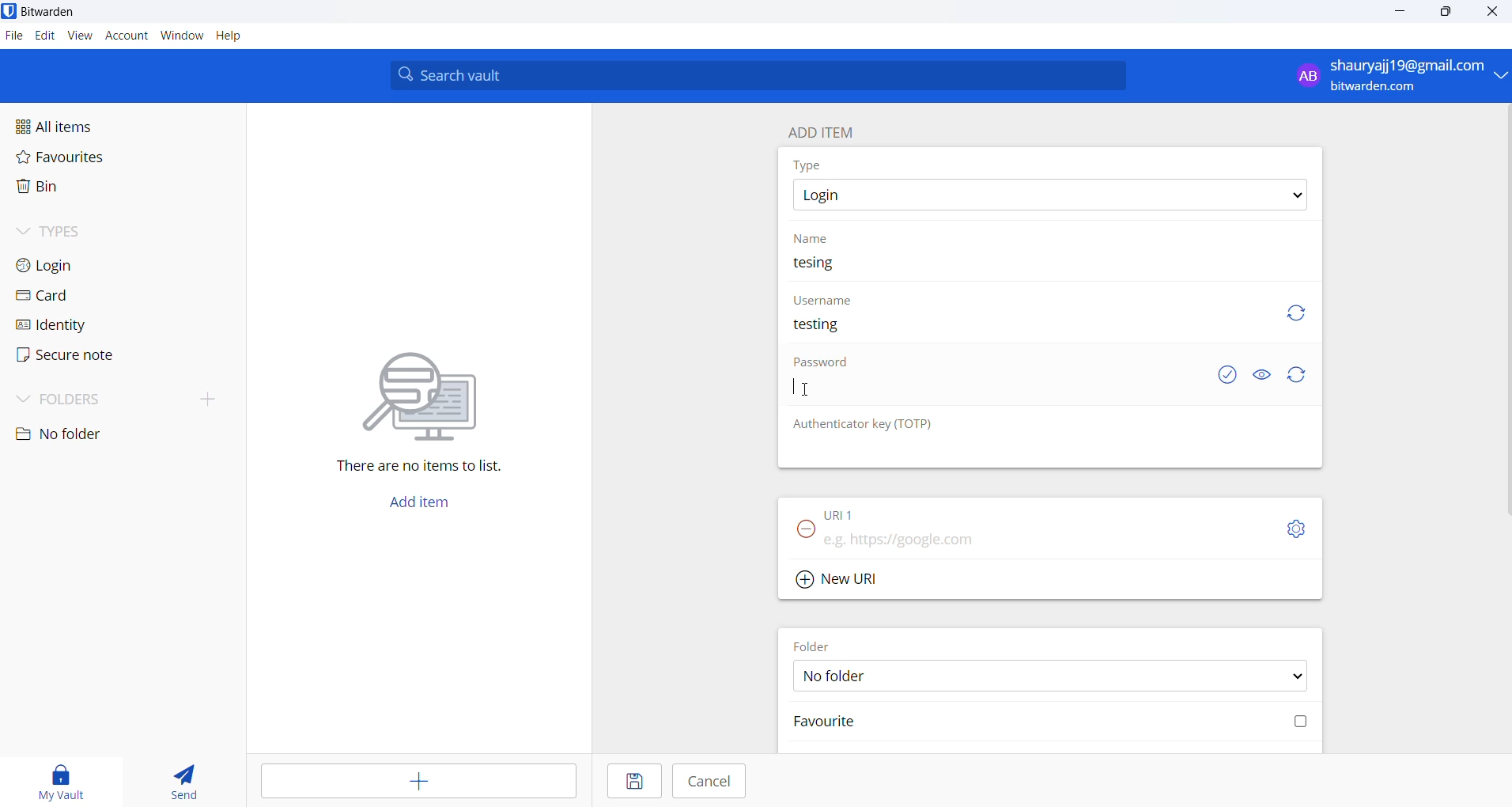 This screenshot has height=807, width=1512. Describe the element at coordinates (1049, 726) in the screenshot. I see `Mark favourite` at that location.